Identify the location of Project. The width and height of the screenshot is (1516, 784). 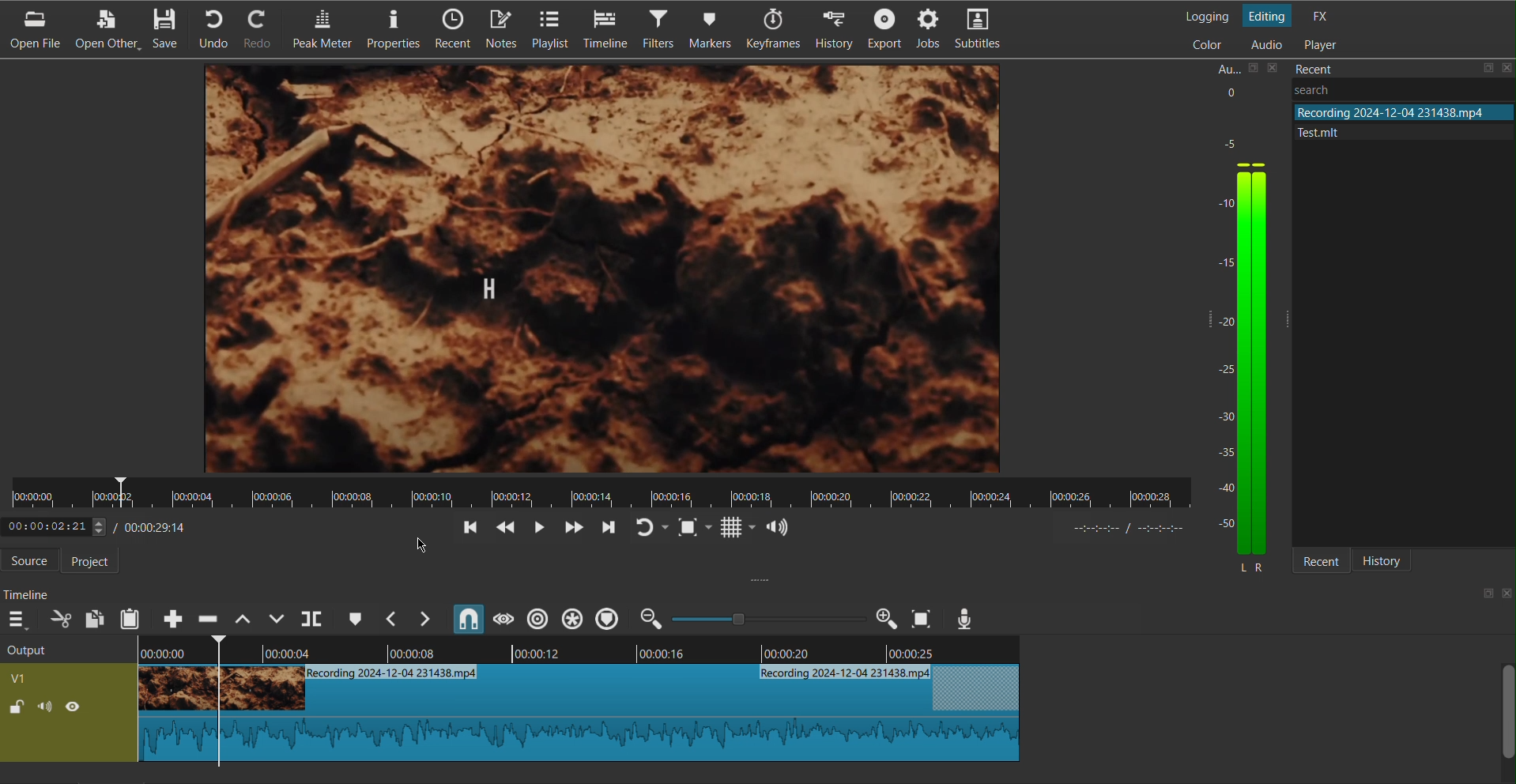
(97, 562).